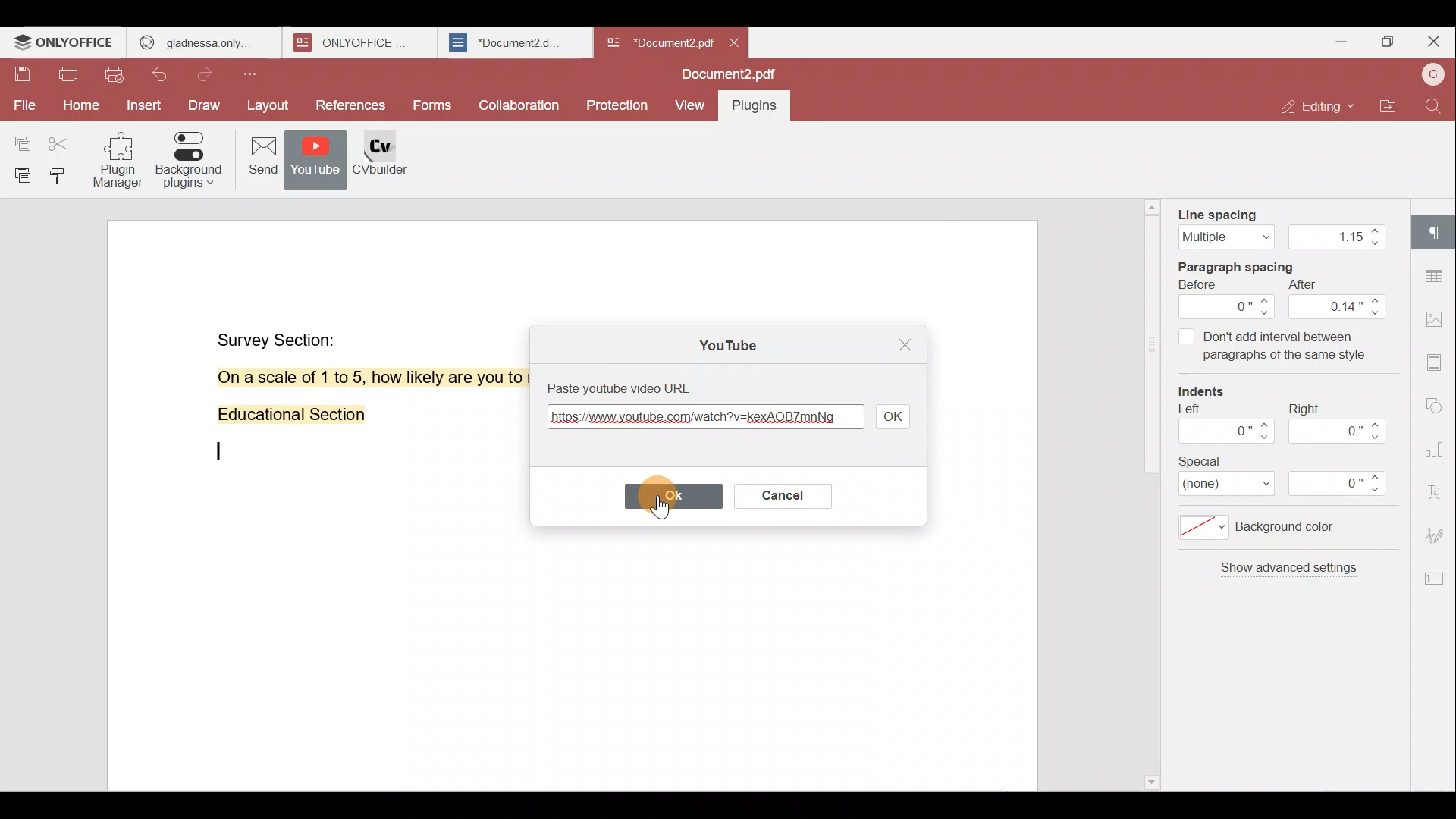  Describe the element at coordinates (1320, 106) in the screenshot. I see `Editing mode` at that location.